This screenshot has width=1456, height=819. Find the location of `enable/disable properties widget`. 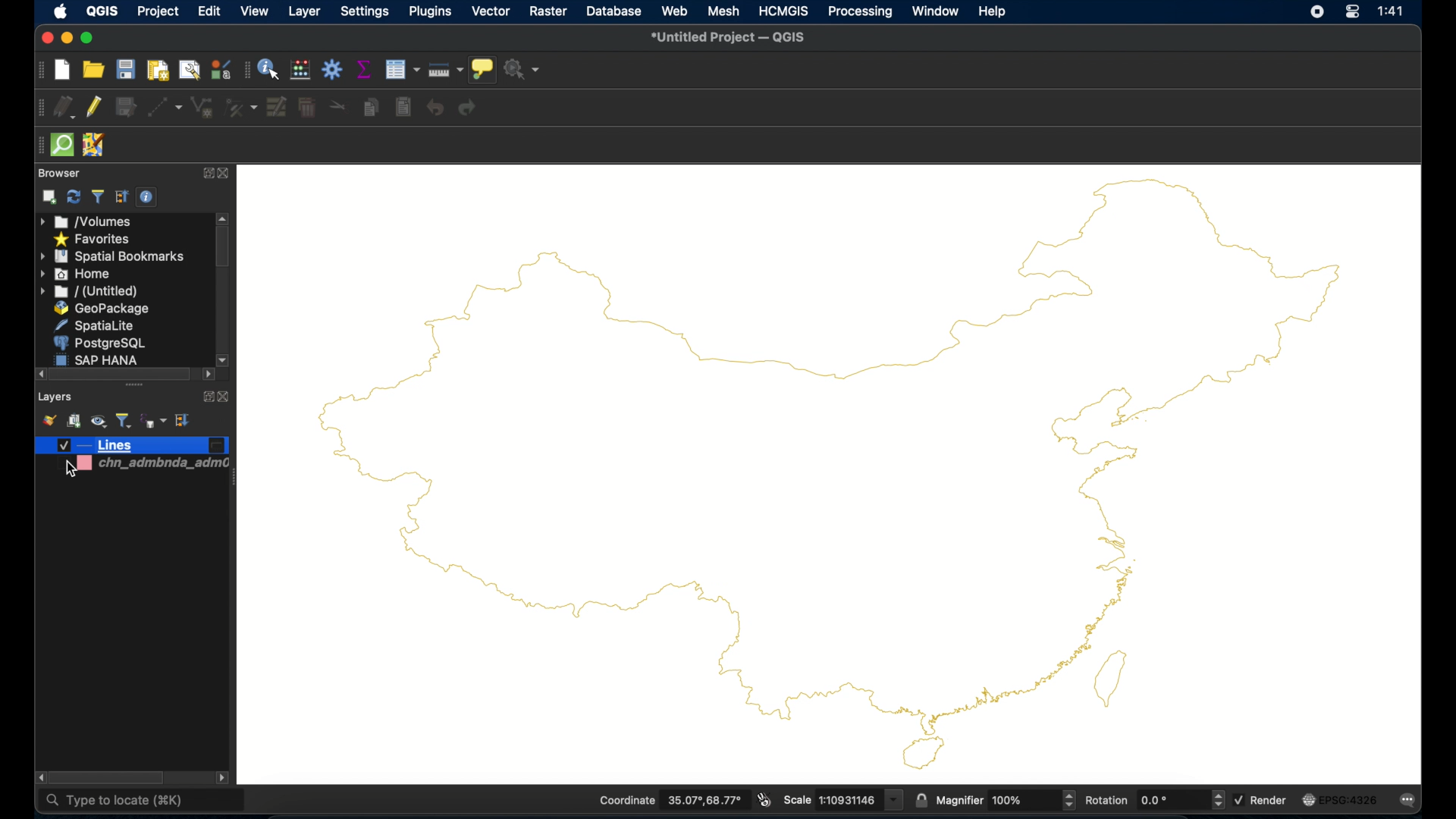

enable/disable properties widget is located at coordinates (148, 197).